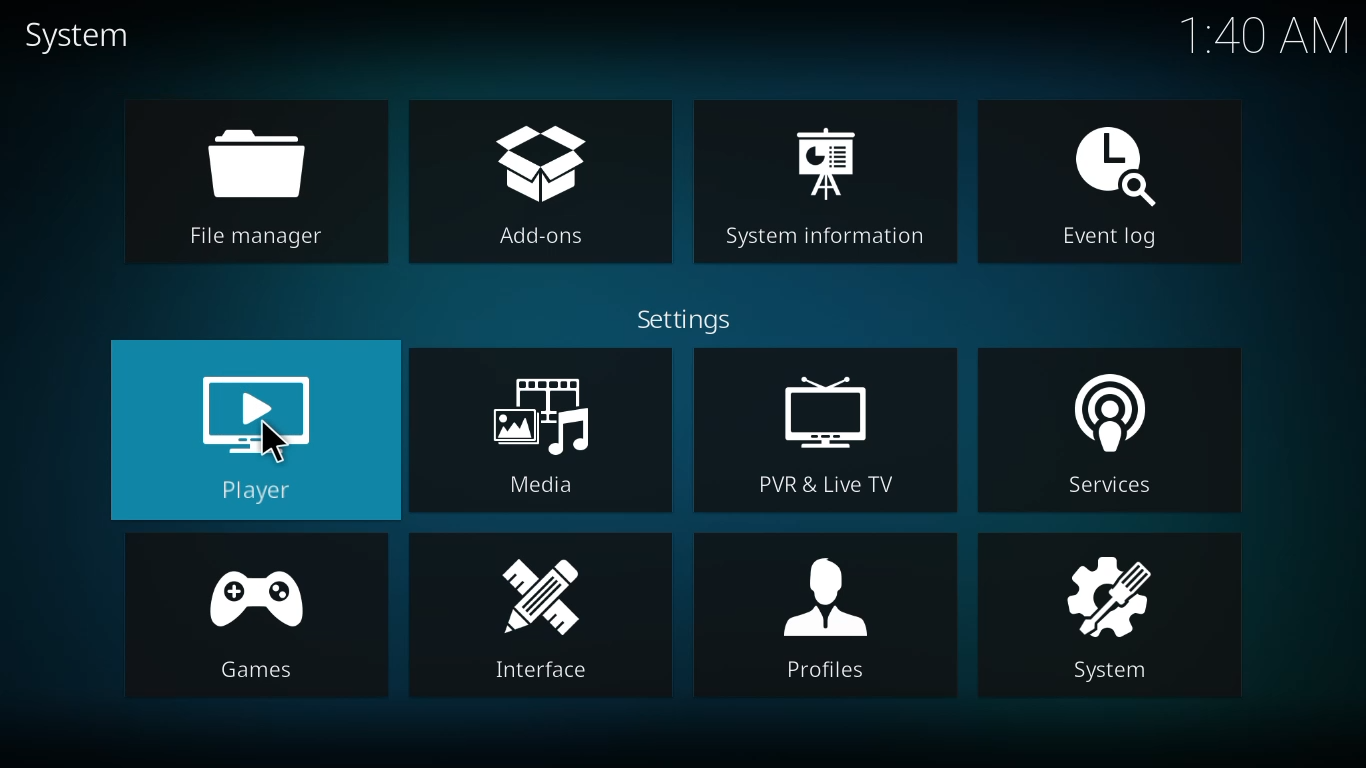 The height and width of the screenshot is (768, 1366). Describe the element at coordinates (262, 185) in the screenshot. I see `file manager` at that location.